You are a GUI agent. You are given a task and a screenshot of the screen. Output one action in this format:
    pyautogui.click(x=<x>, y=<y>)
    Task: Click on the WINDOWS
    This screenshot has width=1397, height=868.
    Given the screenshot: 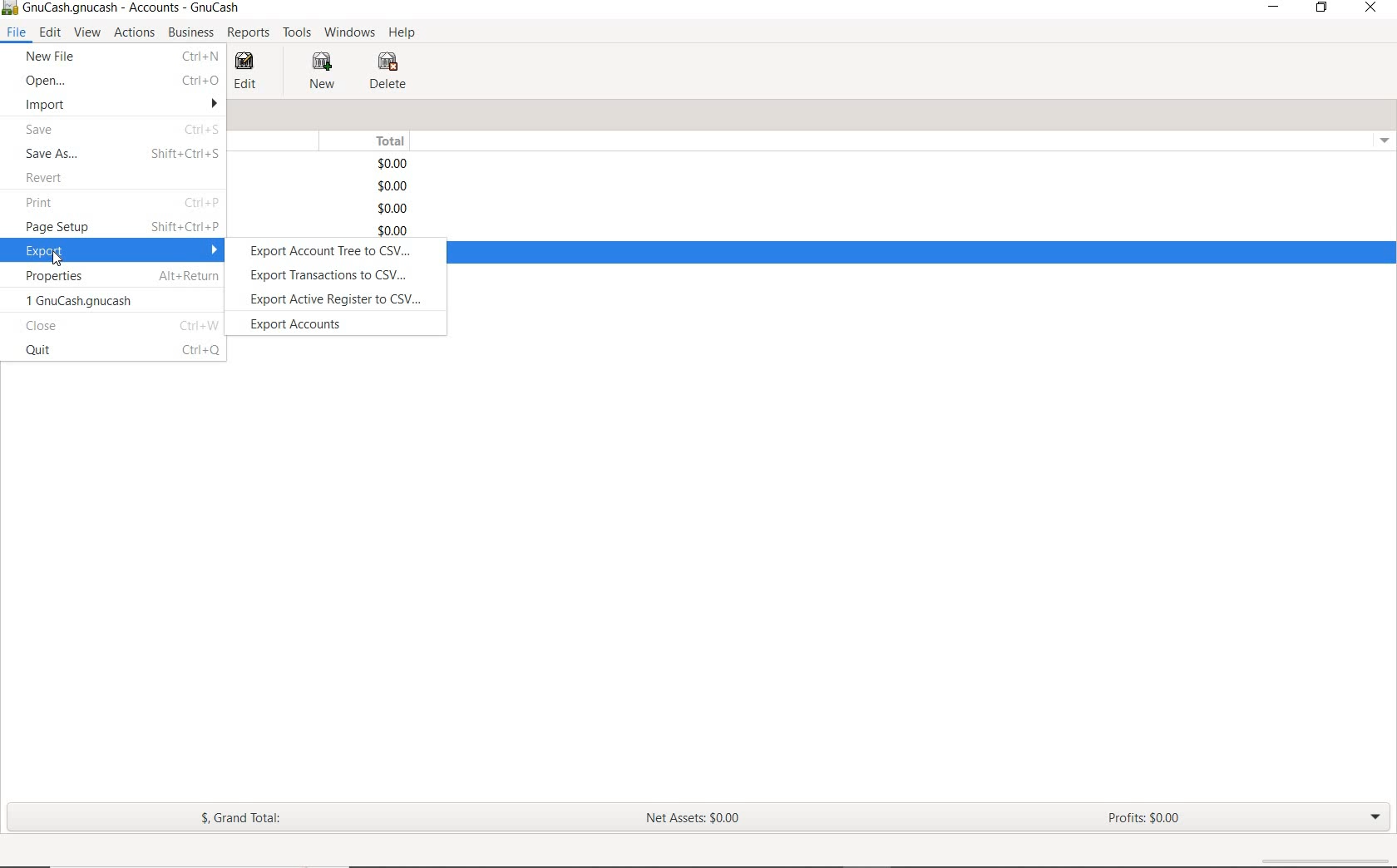 What is the action you would take?
    pyautogui.click(x=348, y=33)
    